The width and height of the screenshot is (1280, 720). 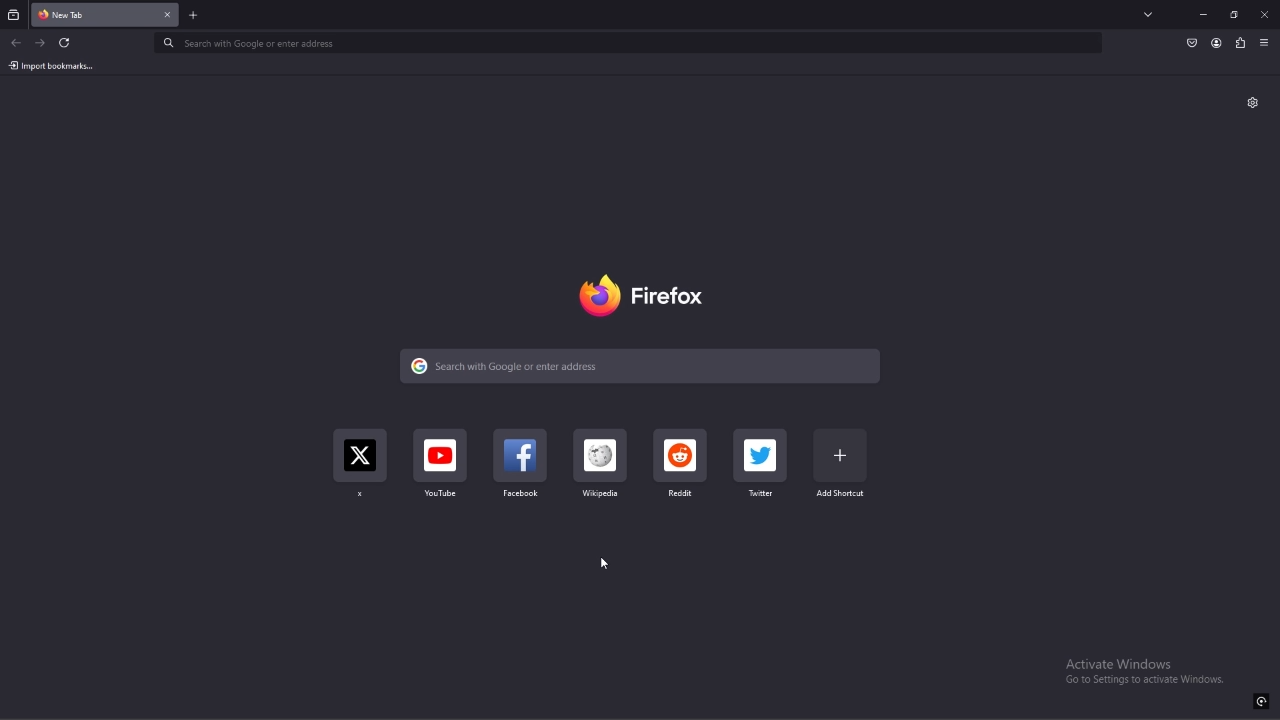 What do you see at coordinates (842, 466) in the screenshot?
I see `add shortcut` at bounding box center [842, 466].